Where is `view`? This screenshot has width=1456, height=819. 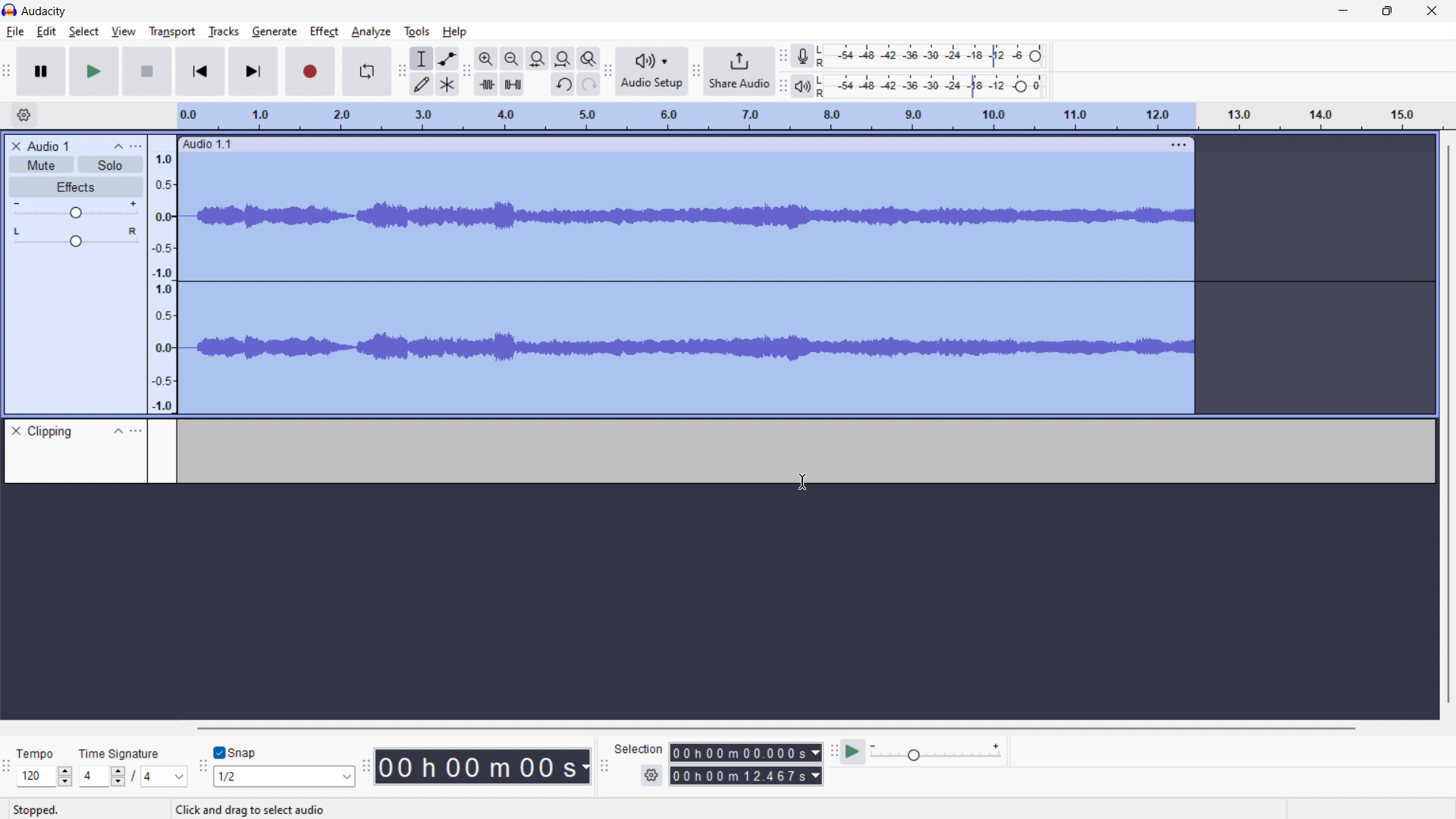
view is located at coordinates (124, 32).